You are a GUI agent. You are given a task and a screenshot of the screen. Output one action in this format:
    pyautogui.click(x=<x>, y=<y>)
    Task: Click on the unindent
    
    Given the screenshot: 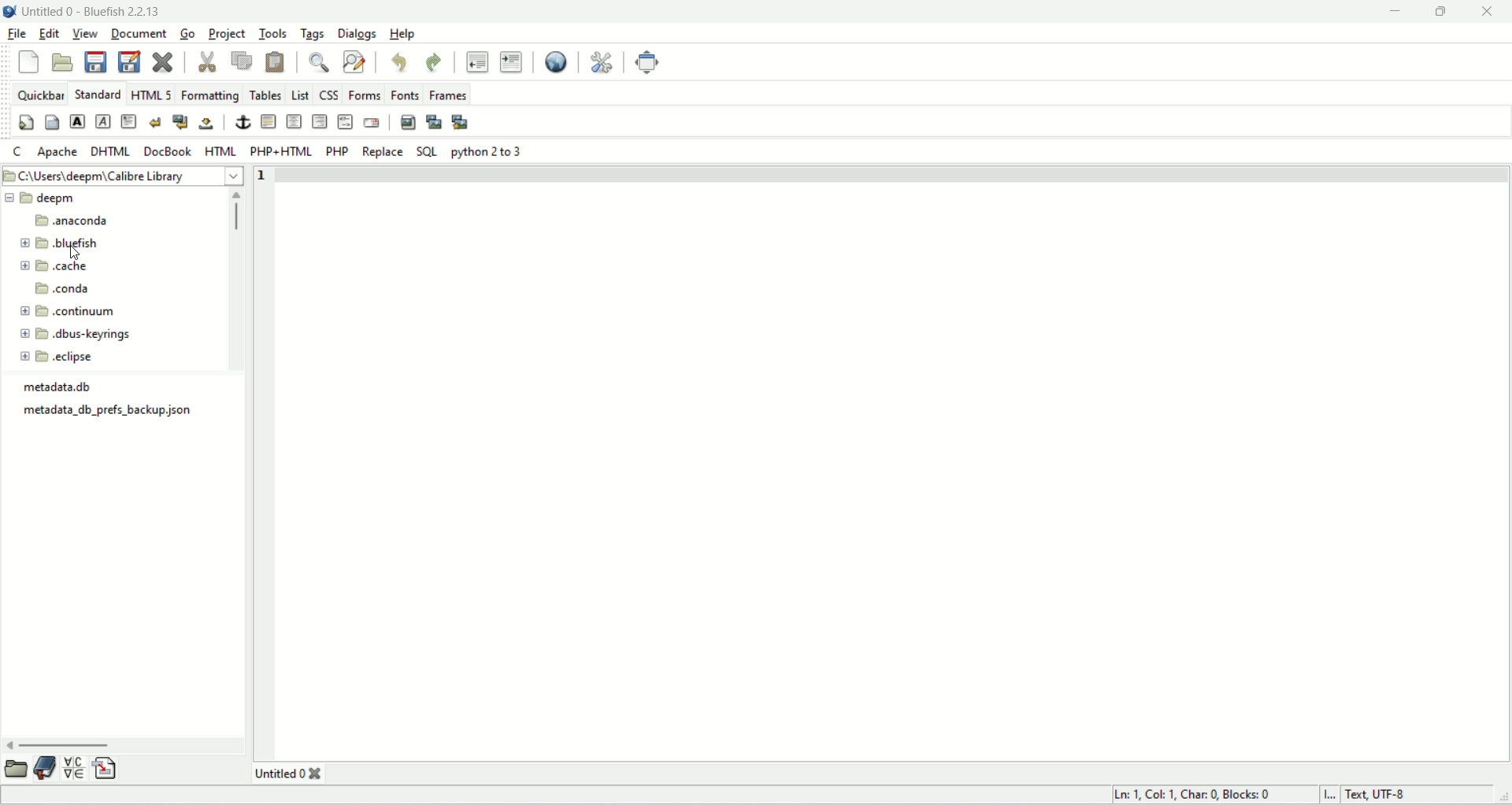 What is the action you would take?
    pyautogui.click(x=479, y=61)
    